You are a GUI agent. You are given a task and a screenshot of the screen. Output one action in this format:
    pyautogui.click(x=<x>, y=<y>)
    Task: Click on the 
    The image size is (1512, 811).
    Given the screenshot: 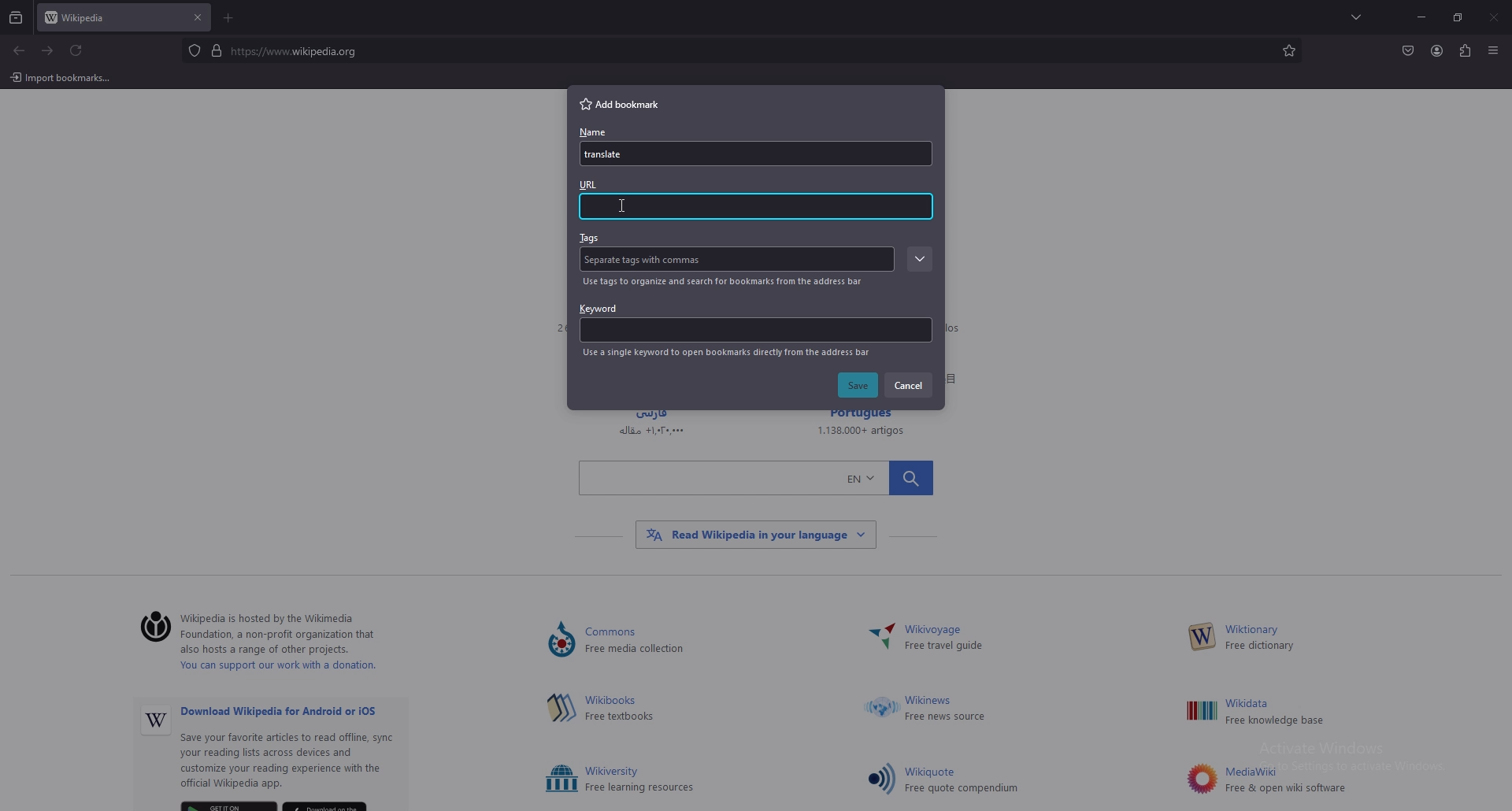 What is the action you would take?
    pyautogui.click(x=882, y=709)
    